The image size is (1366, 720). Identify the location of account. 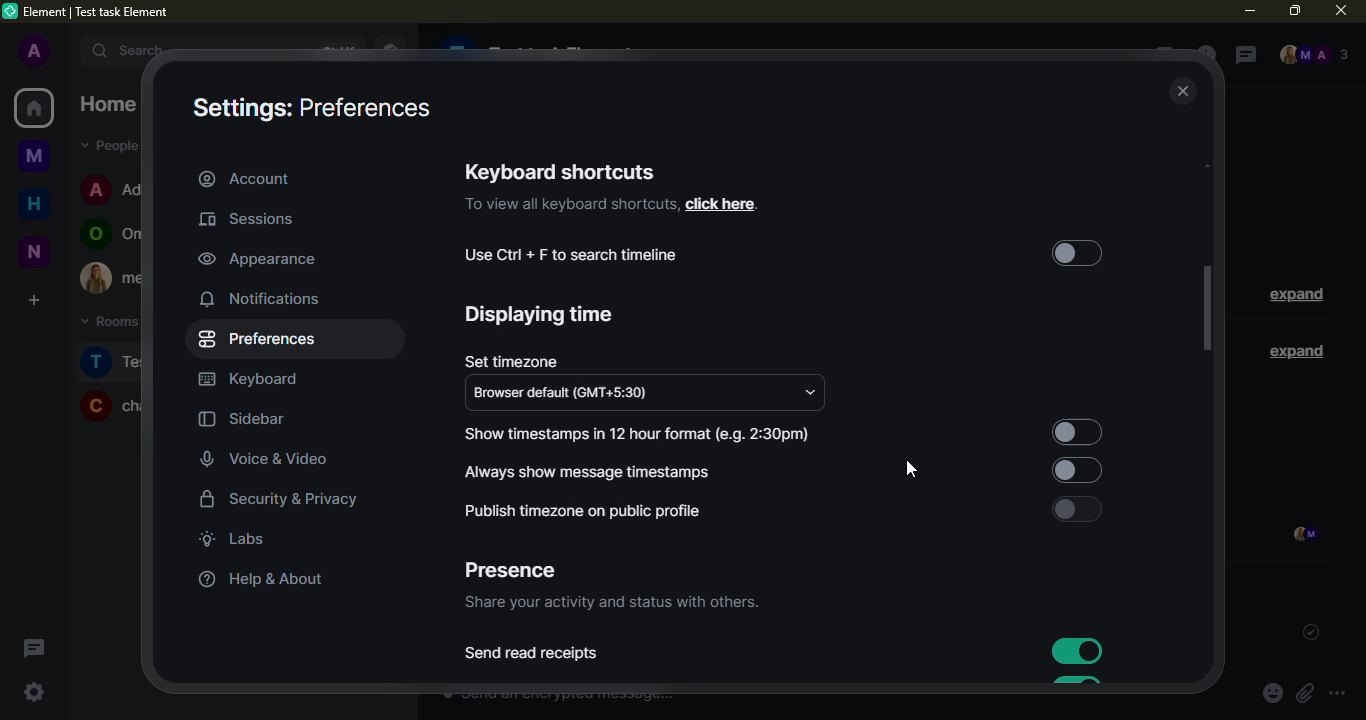
(245, 178).